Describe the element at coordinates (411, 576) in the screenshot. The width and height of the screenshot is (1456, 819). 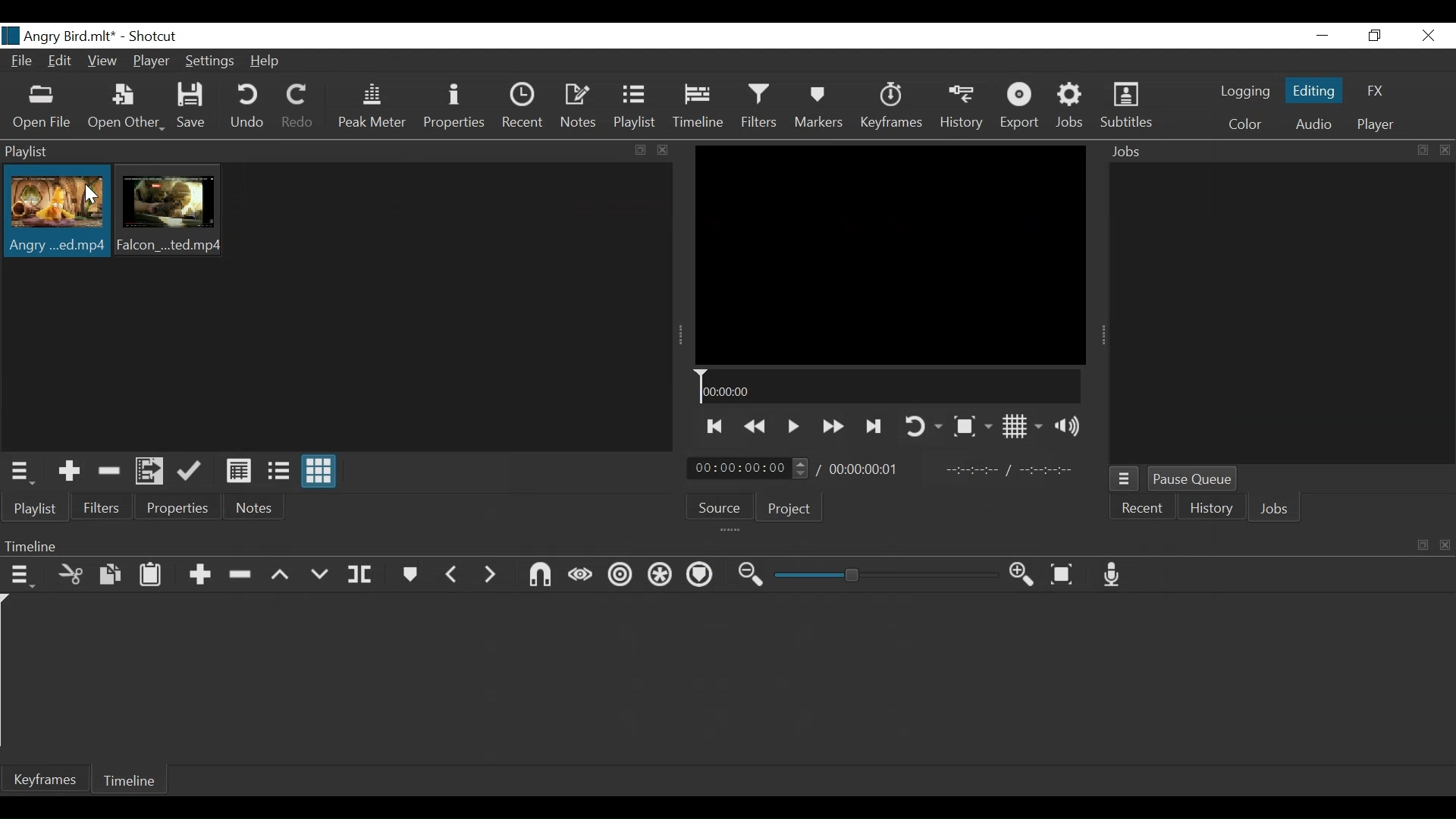
I see `Markers` at that location.